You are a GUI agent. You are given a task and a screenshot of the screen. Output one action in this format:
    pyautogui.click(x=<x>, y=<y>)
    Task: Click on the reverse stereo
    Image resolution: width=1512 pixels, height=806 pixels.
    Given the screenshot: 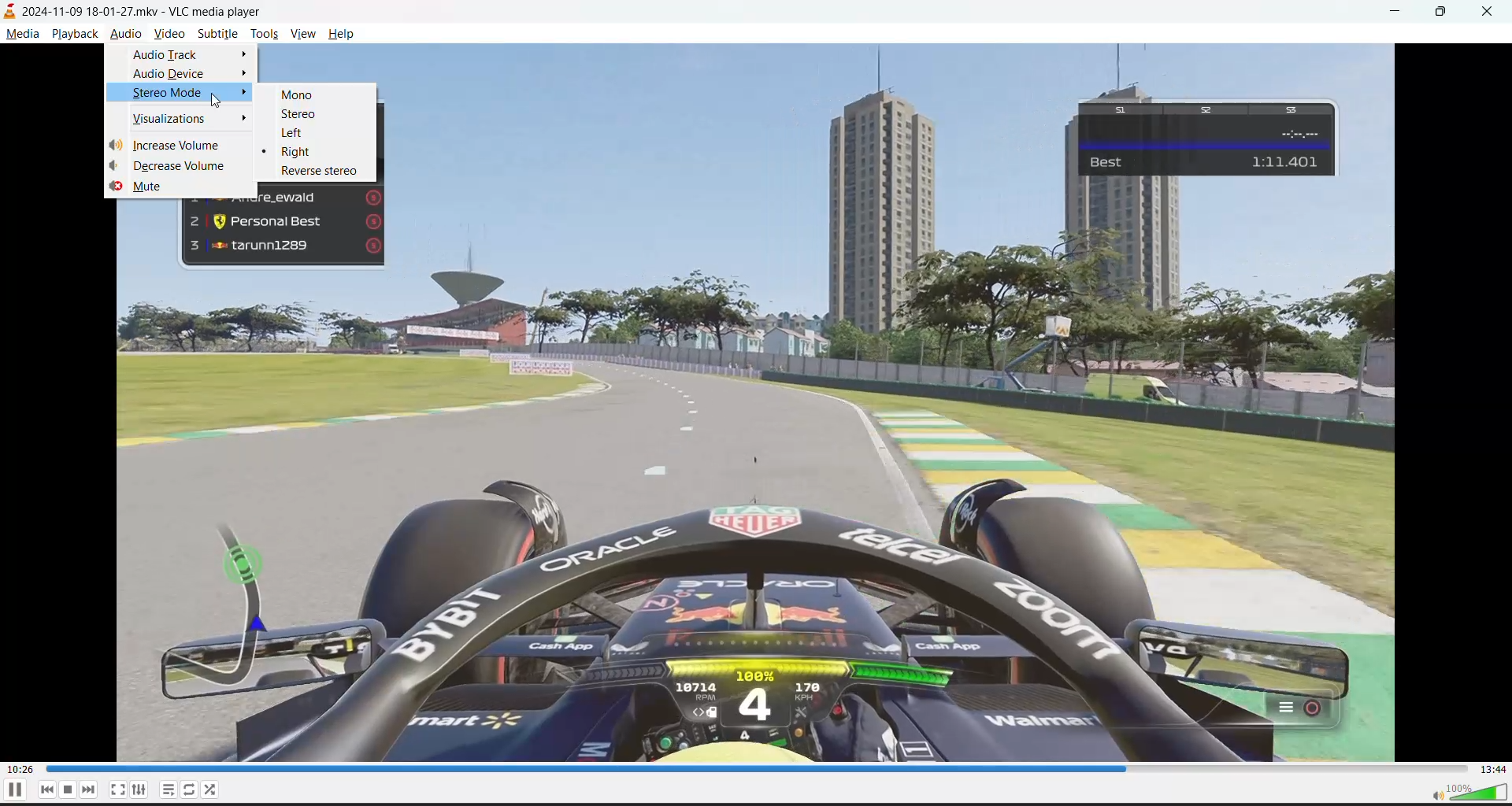 What is the action you would take?
    pyautogui.click(x=319, y=172)
    